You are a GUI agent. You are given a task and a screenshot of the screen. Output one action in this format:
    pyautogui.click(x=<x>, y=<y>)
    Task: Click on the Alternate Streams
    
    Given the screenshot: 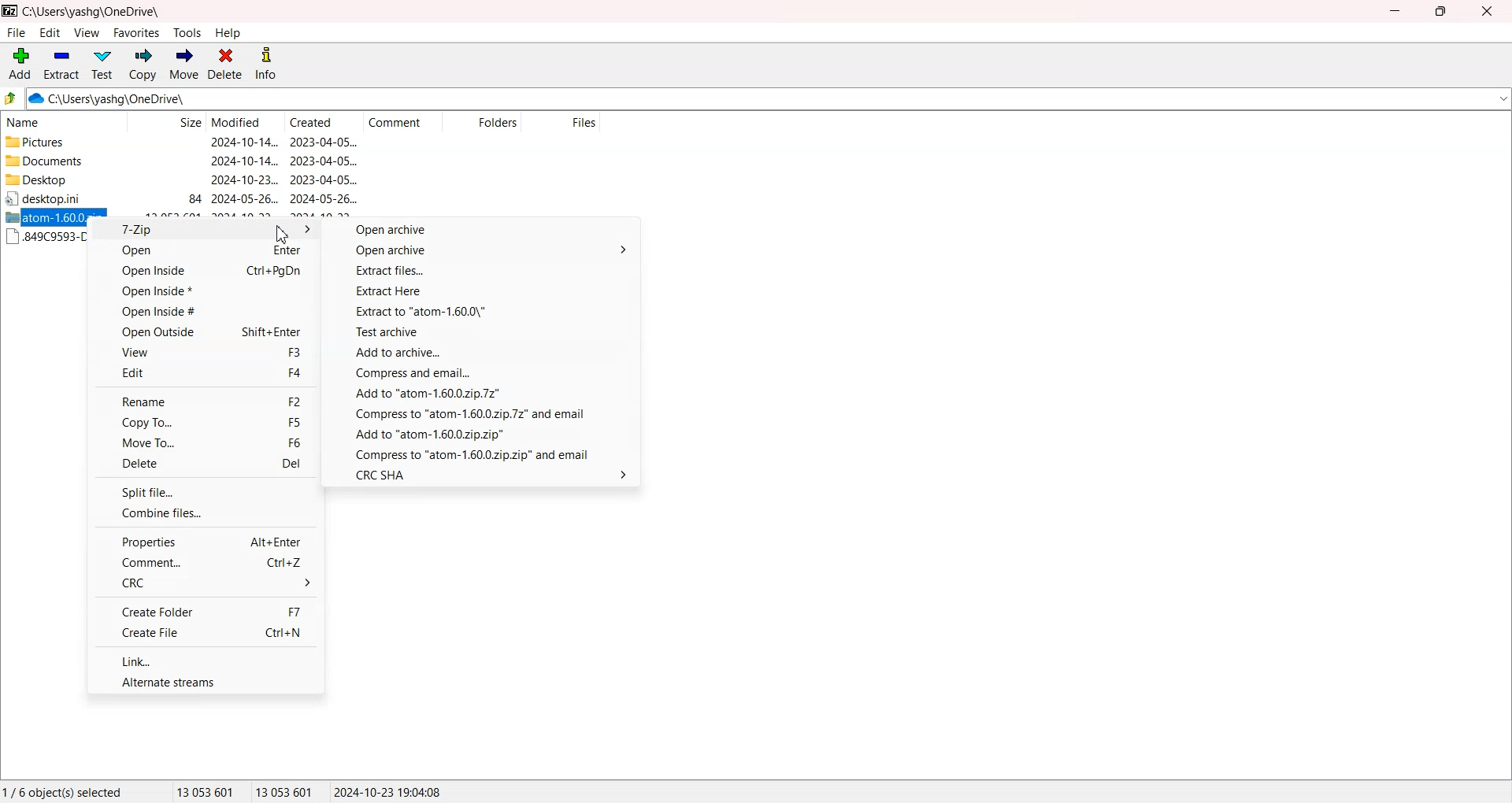 What is the action you would take?
    pyautogui.click(x=206, y=680)
    